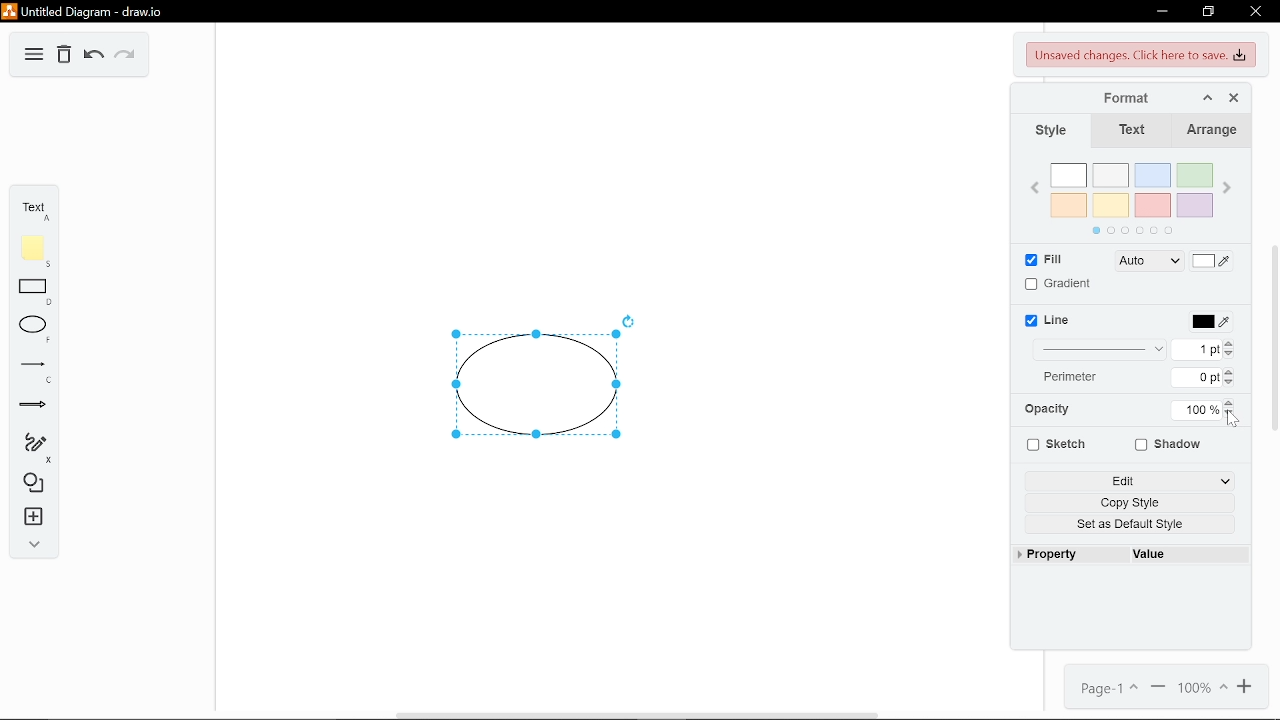  I want to click on Redo, so click(126, 57).